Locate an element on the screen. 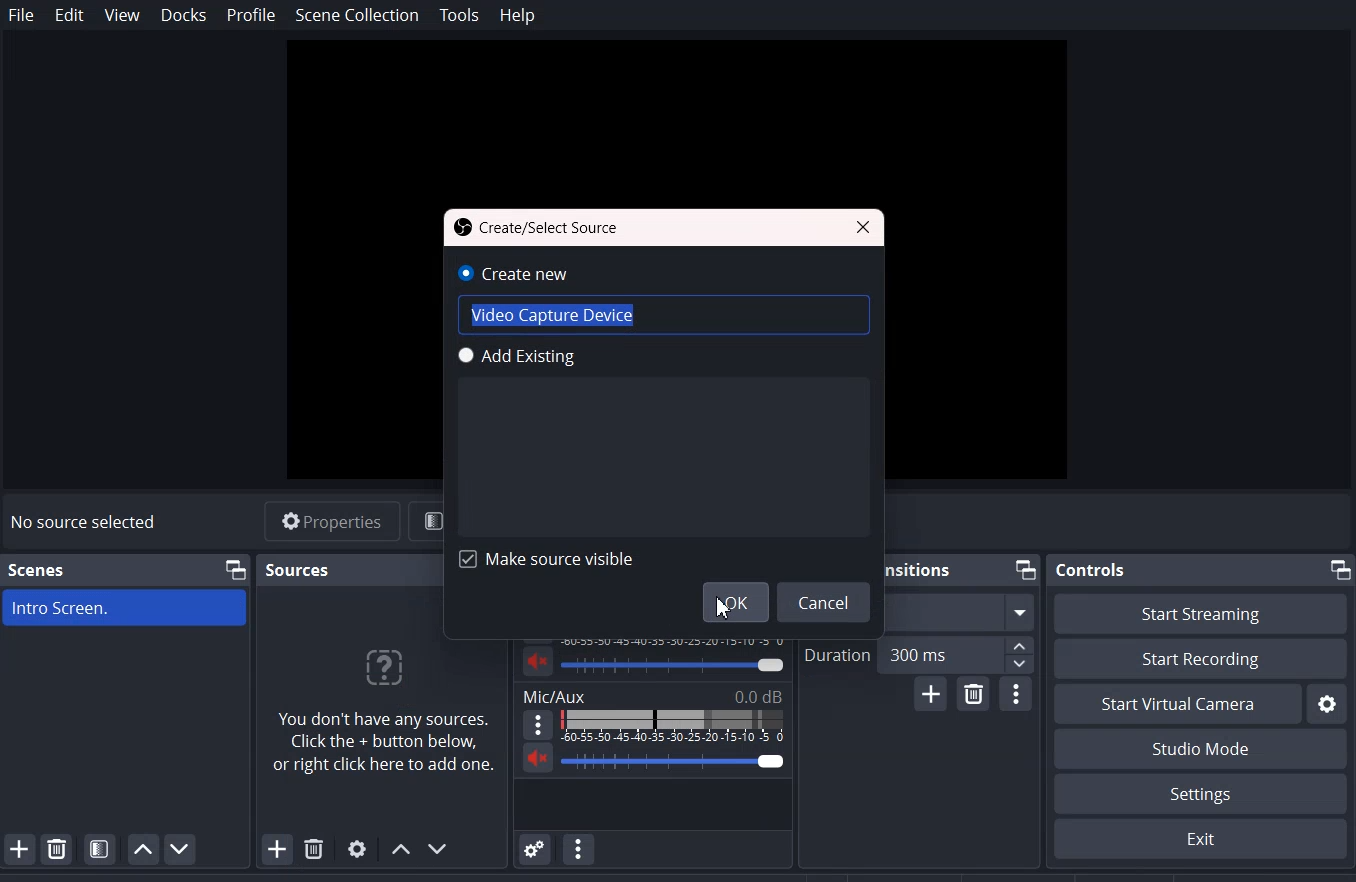 The height and width of the screenshot is (882, 1356). Open scene filter is located at coordinates (100, 849).